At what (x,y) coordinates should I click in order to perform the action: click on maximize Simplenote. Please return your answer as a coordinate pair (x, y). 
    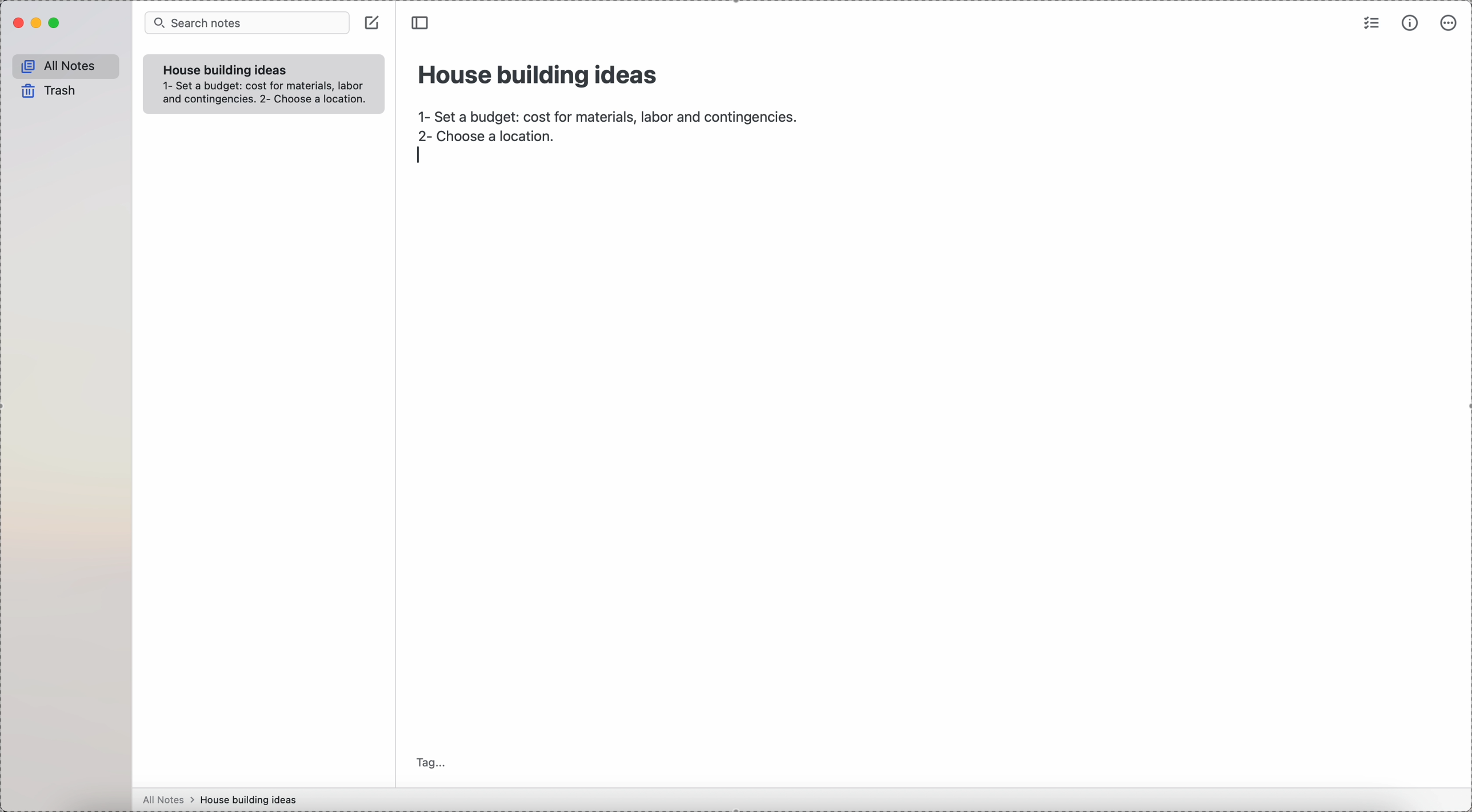
    Looking at the image, I should click on (58, 23).